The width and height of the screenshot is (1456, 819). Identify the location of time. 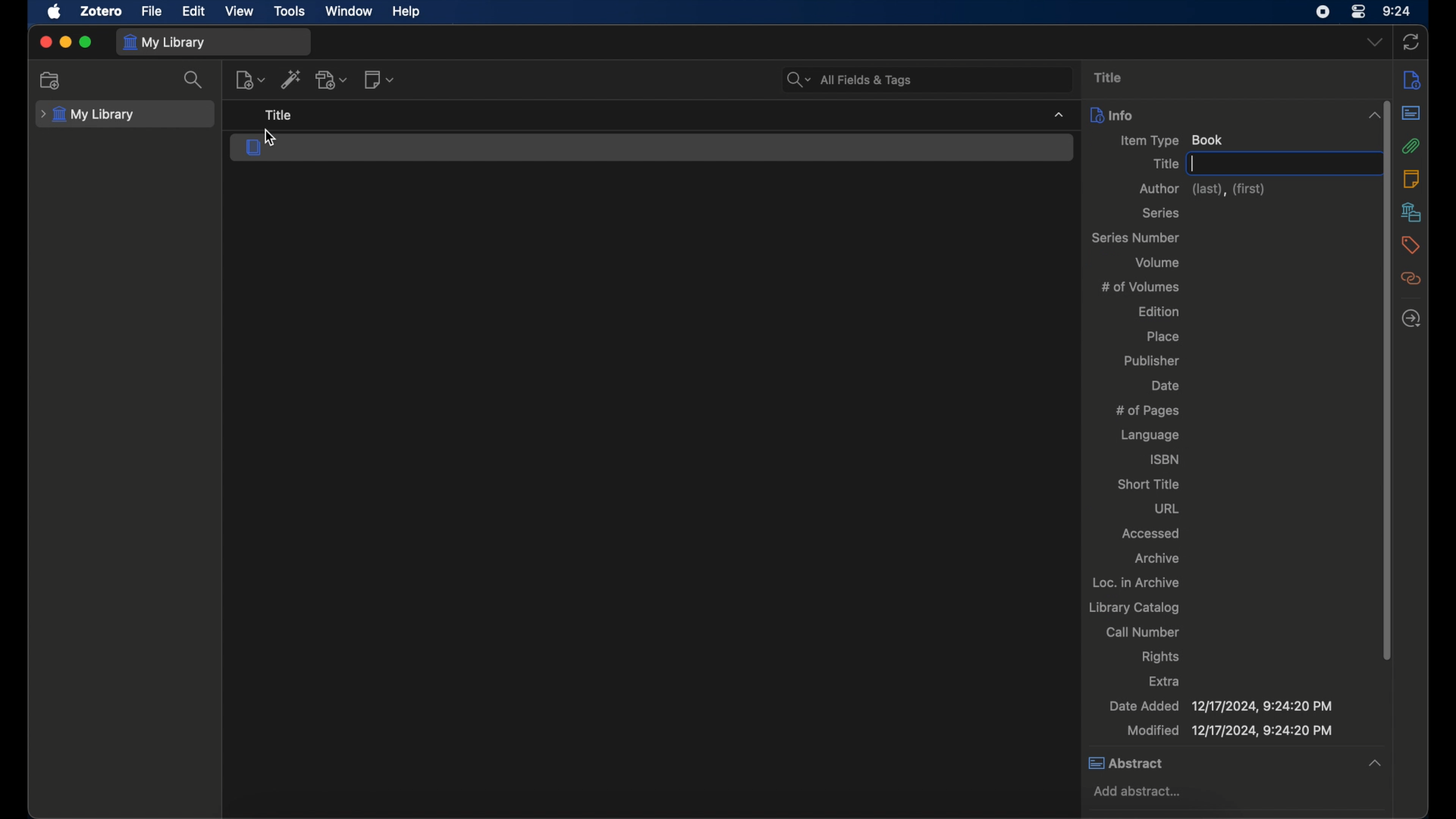
(1398, 11).